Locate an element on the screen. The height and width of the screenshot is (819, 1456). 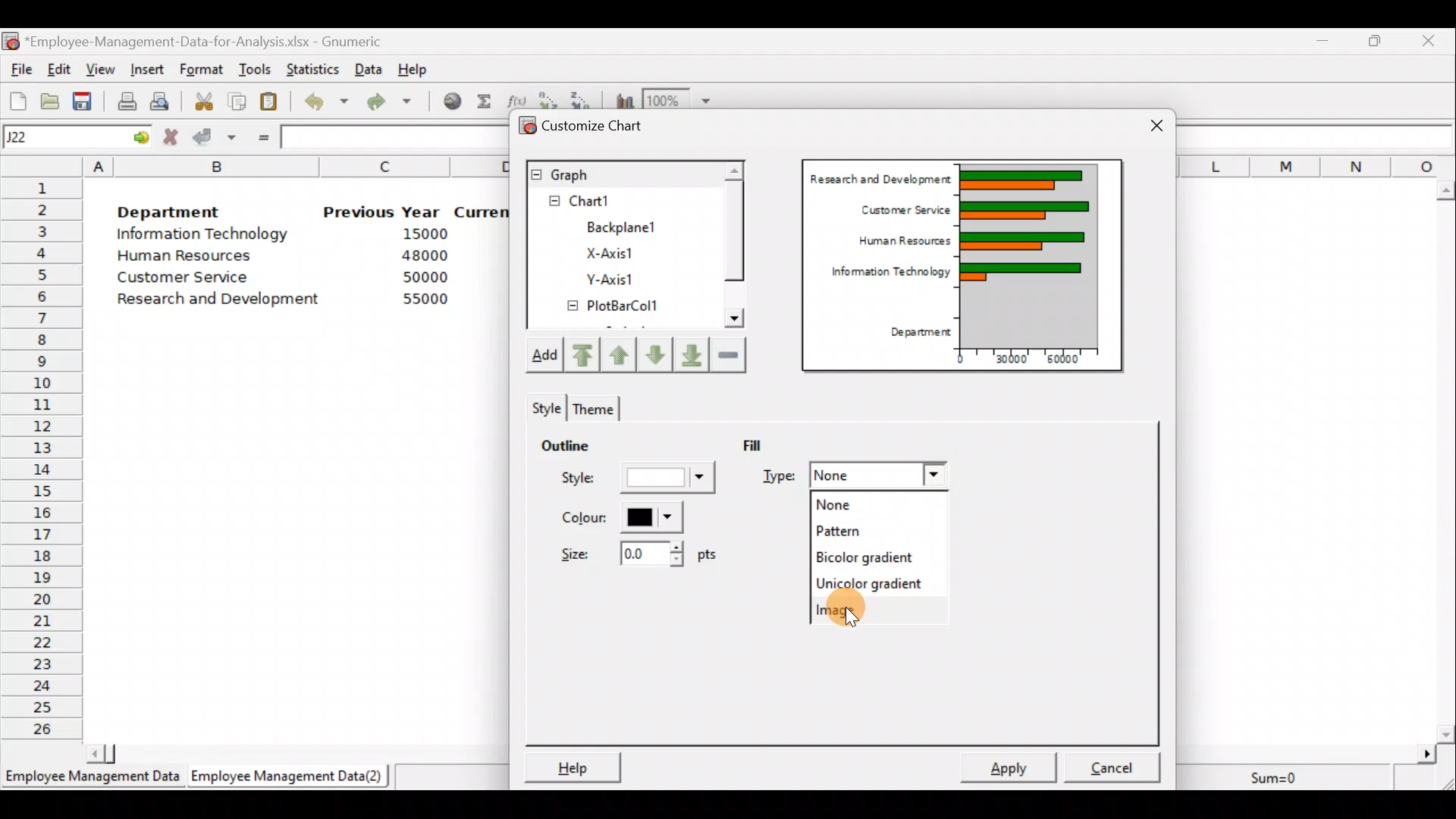
Help is located at coordinates (413, 66).